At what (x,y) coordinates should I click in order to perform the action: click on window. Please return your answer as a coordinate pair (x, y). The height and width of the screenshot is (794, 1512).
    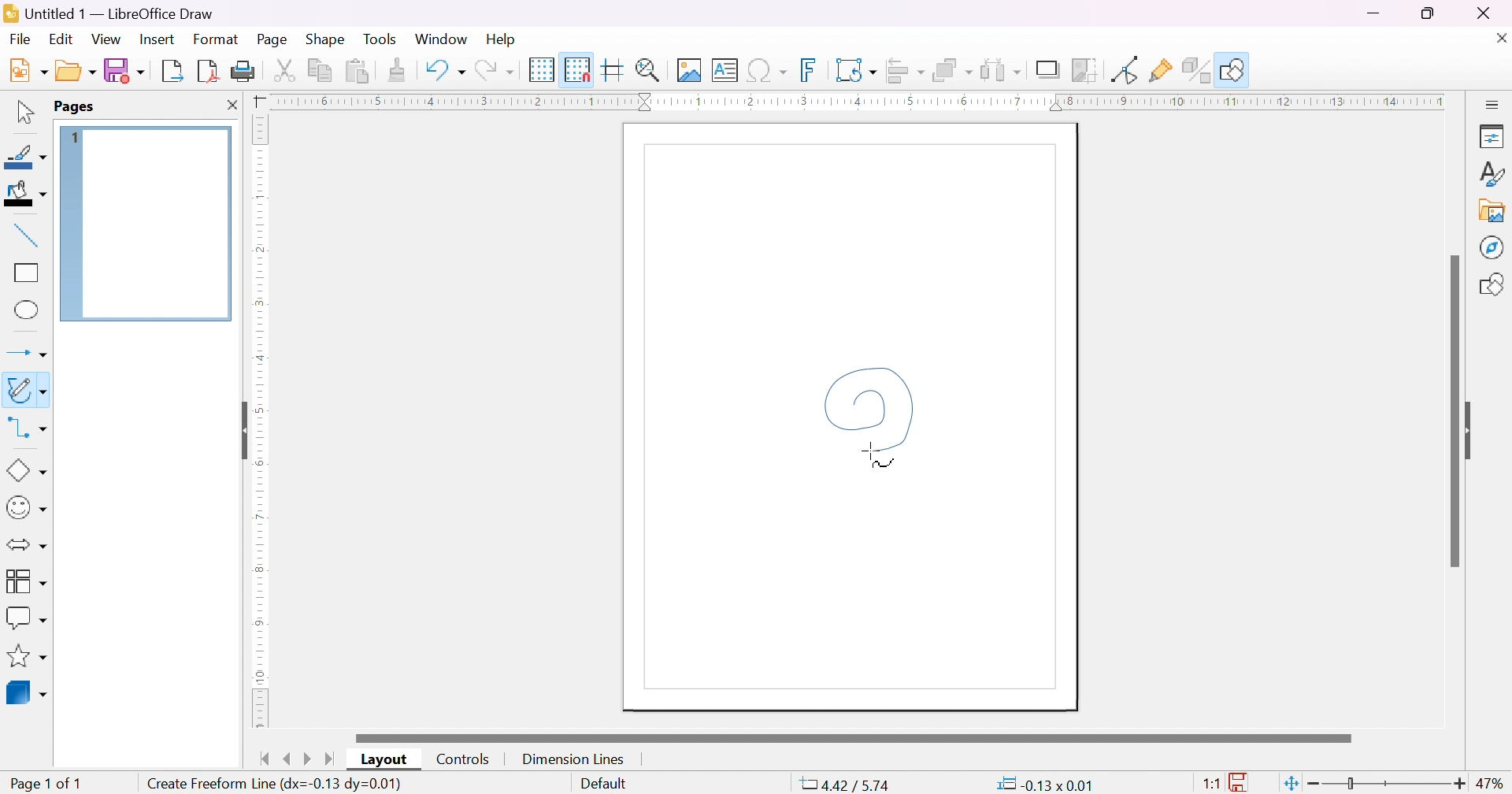
    Looking at the image, I should click on (440, 39).